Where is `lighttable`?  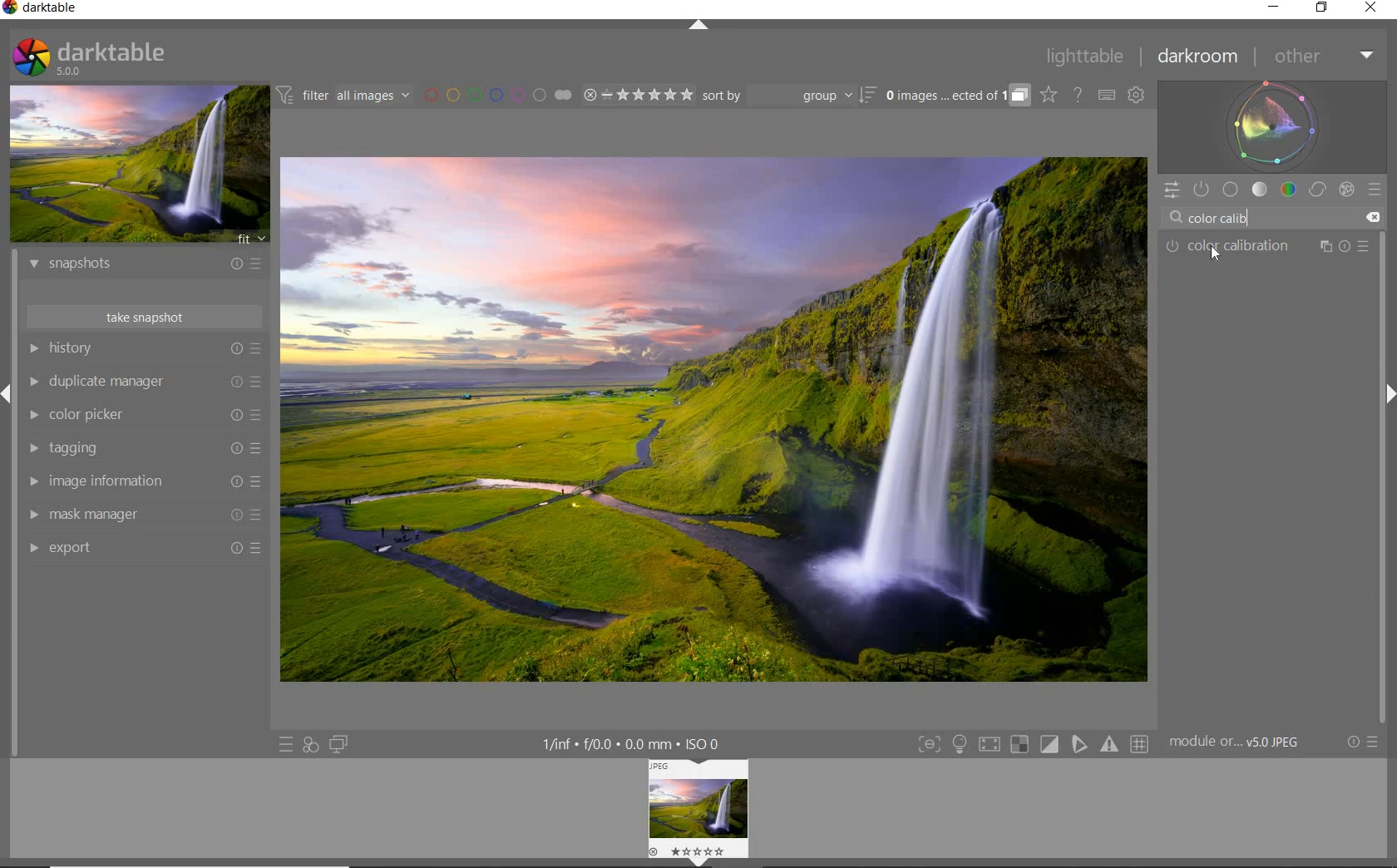
lighttable is located at coordinates (1089, 57).